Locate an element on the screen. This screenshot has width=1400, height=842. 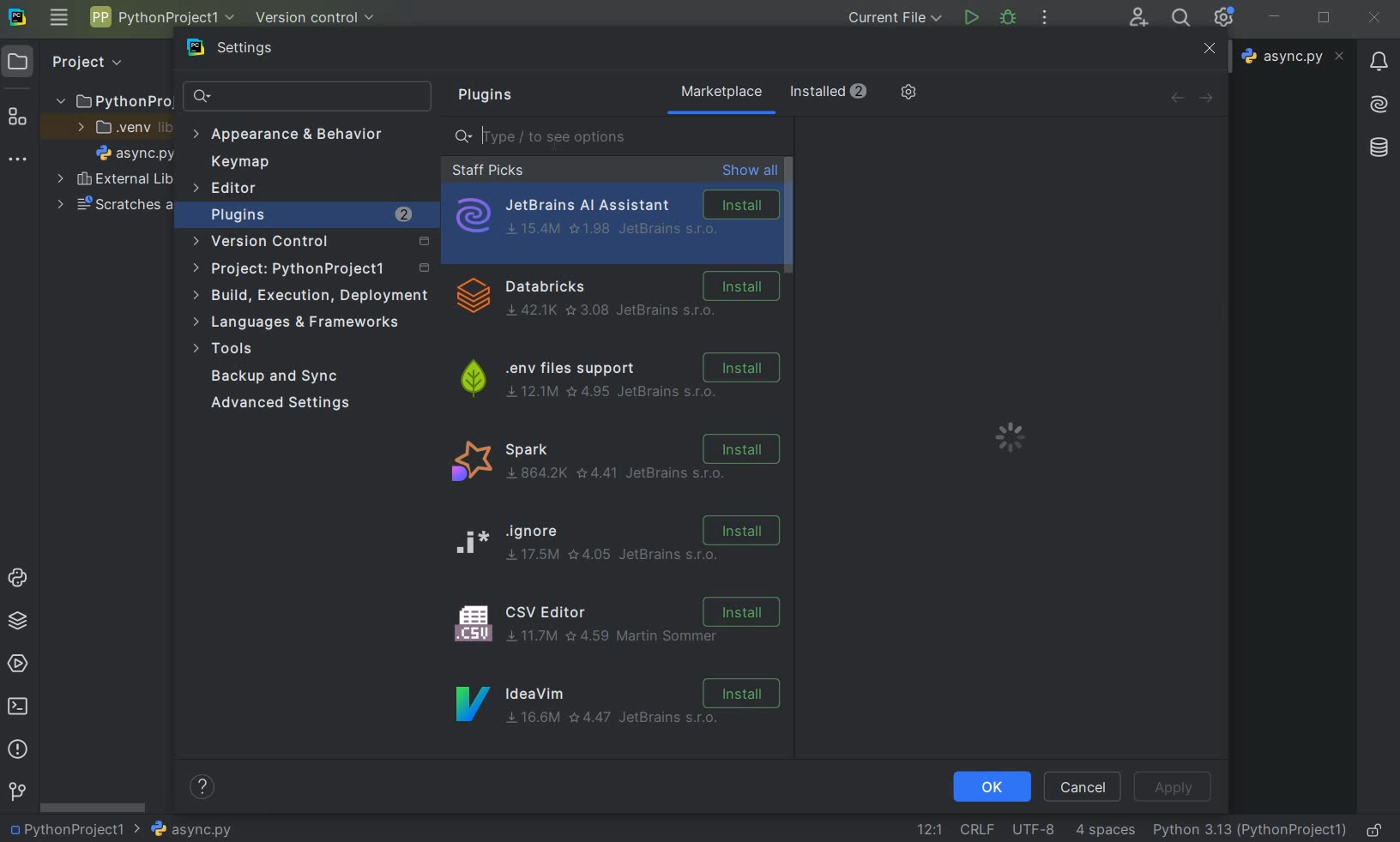
type/ to see options is located at coordinates (612, 137).